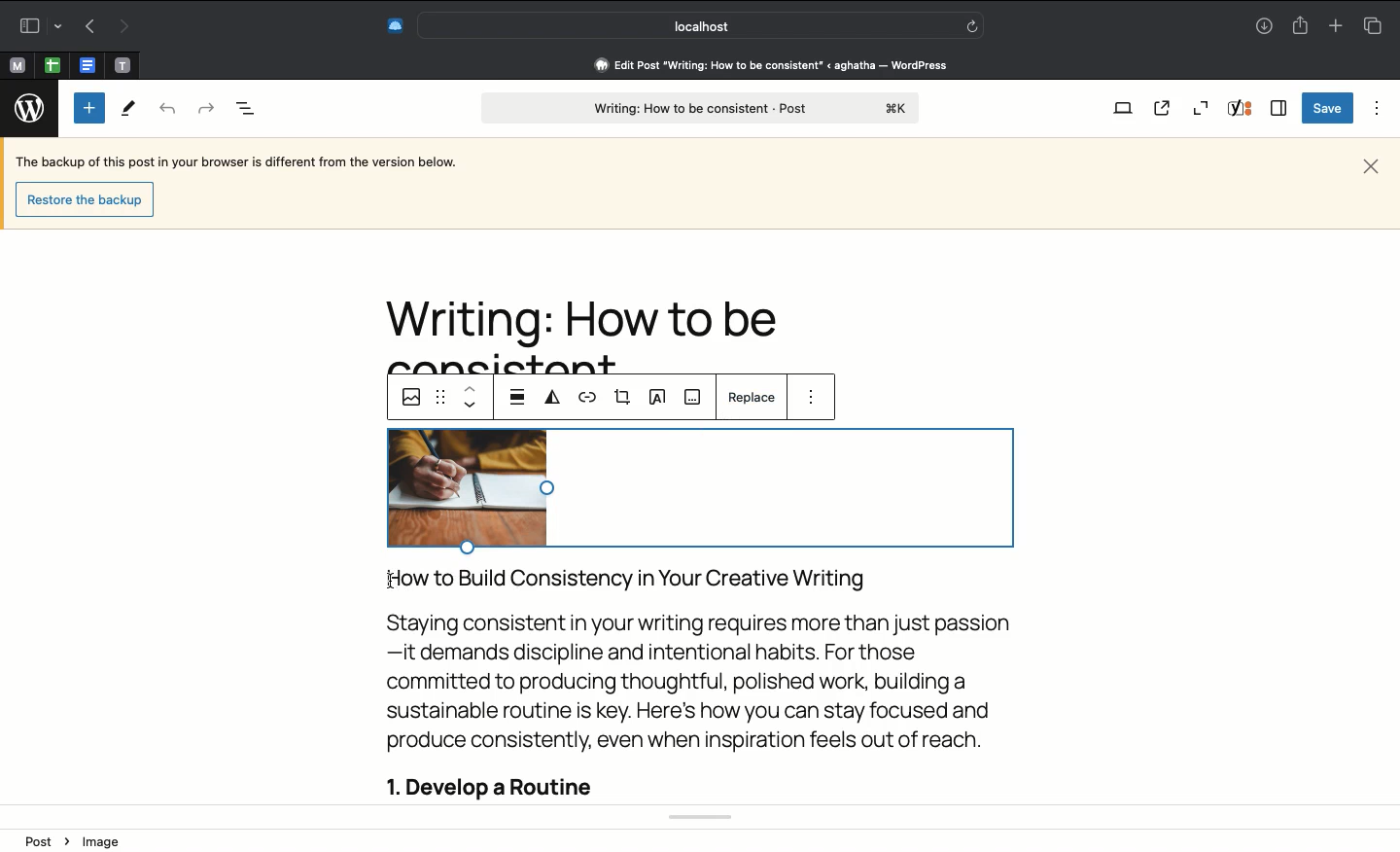 The height and width of the screenshot is (852, 1400). Describe the element at coordinates (659, 395) in the screenshot. I see `Text` at that location.